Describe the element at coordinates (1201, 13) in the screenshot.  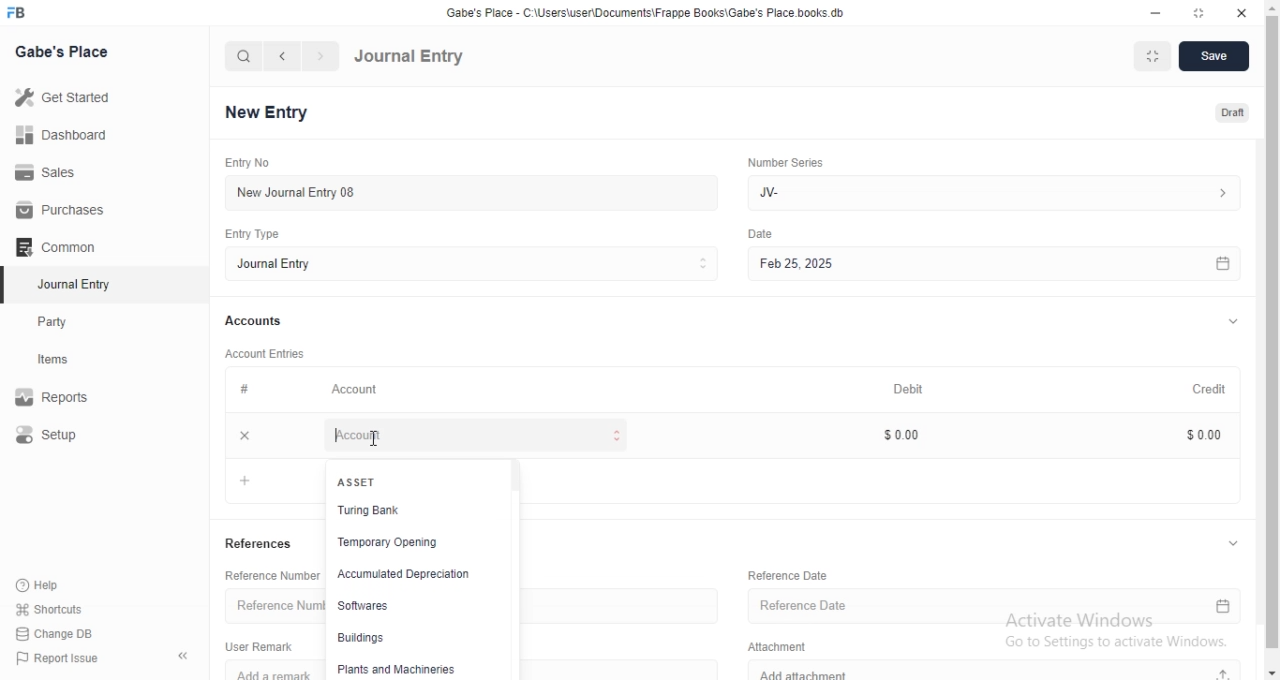
I see `resize` at that location.